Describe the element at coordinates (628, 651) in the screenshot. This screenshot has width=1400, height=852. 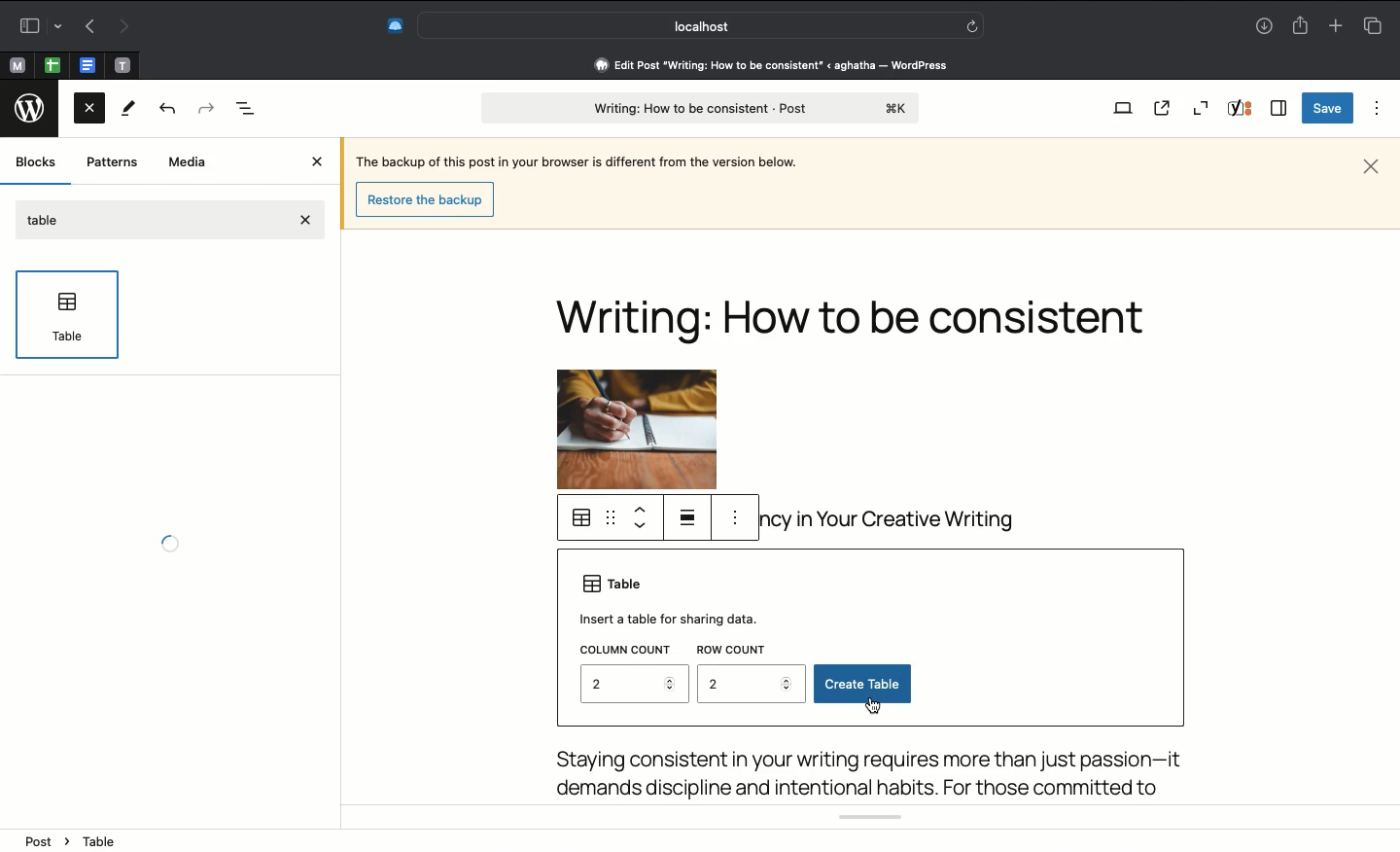
I see `Column count` at that location.